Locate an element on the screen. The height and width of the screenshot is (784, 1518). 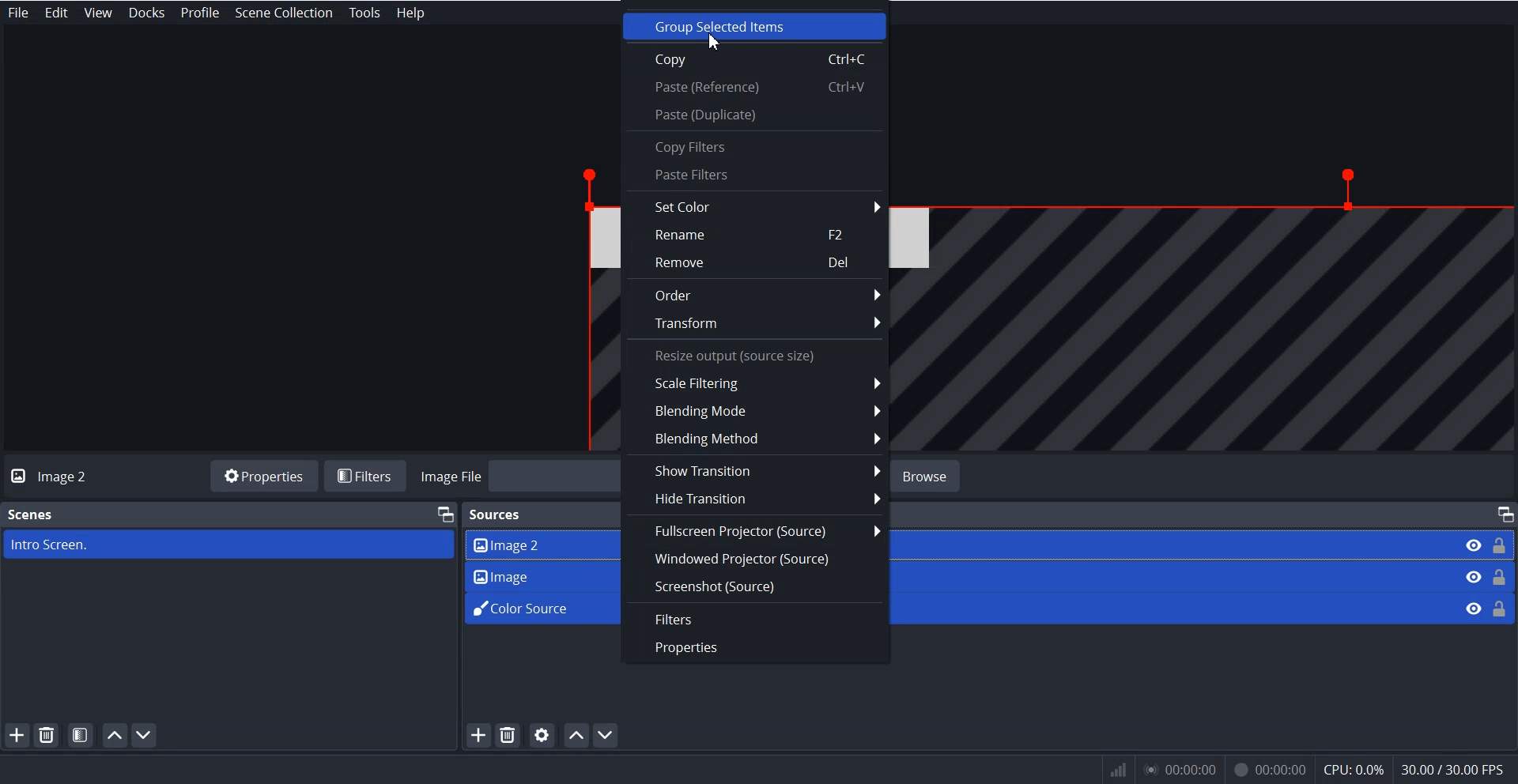
Screenshot is located at coordinates (756, 586).